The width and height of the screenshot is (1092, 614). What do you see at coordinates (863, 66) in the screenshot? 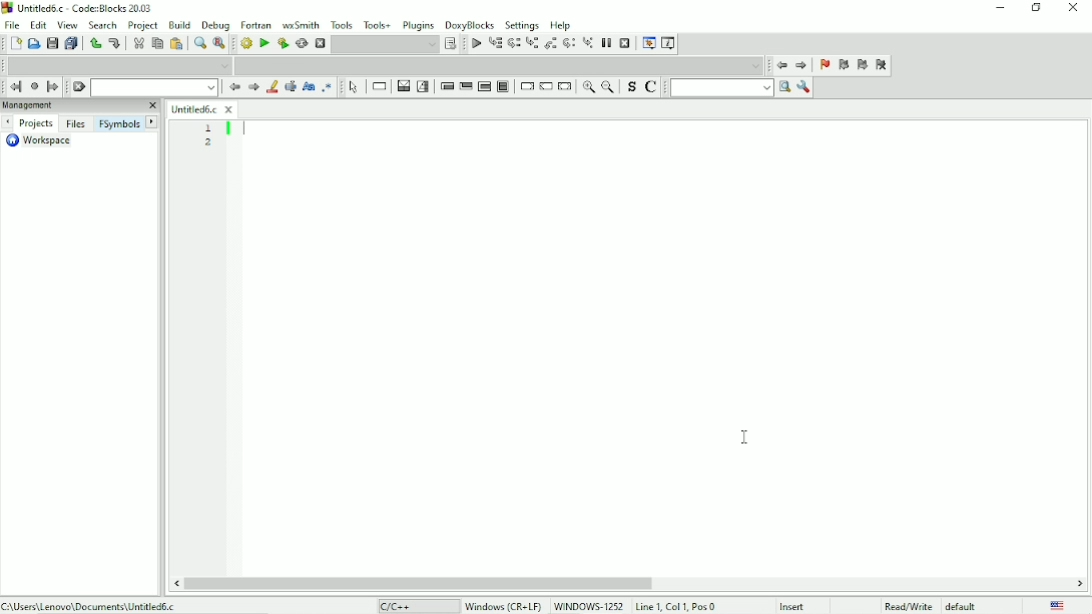
I see `Next bookmark` at bounding box center [863, 66].